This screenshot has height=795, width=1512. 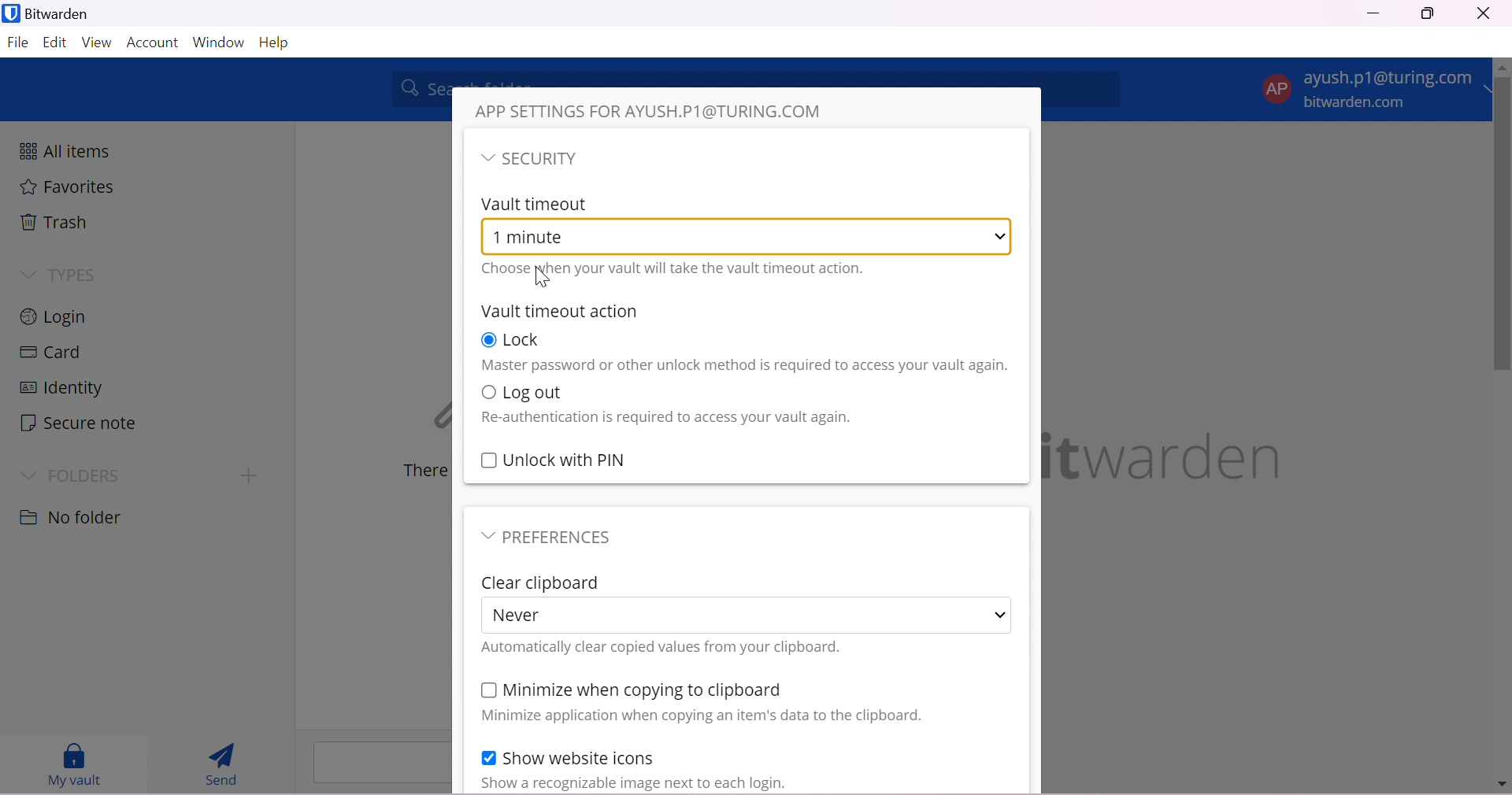 I want to click on move up, so click(x=1503, y=68).